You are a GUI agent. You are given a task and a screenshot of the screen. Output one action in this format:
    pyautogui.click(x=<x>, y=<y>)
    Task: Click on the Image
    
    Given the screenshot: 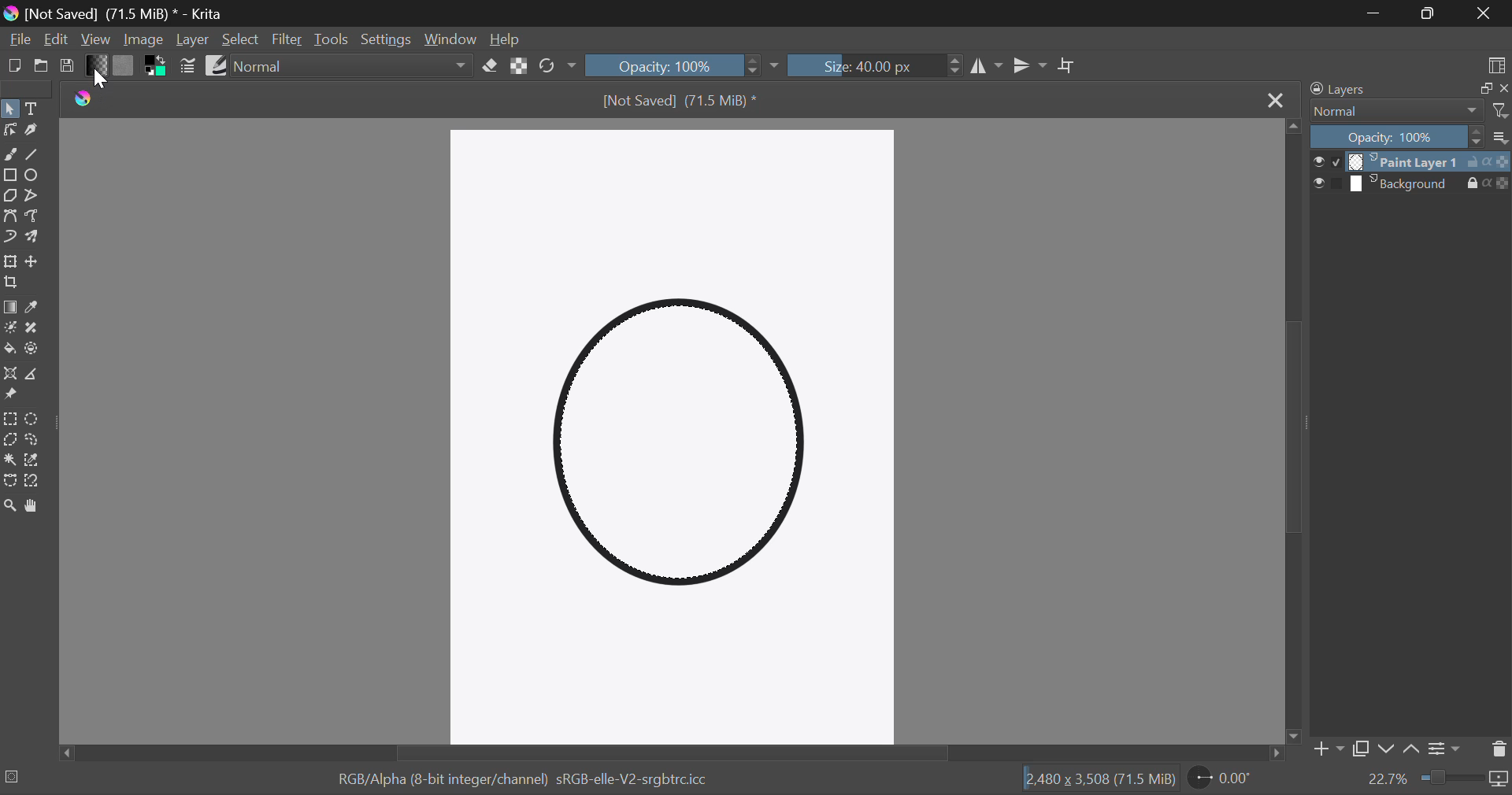 What is the action you would take?
    pyautogui.click(x=145, y=41)
    